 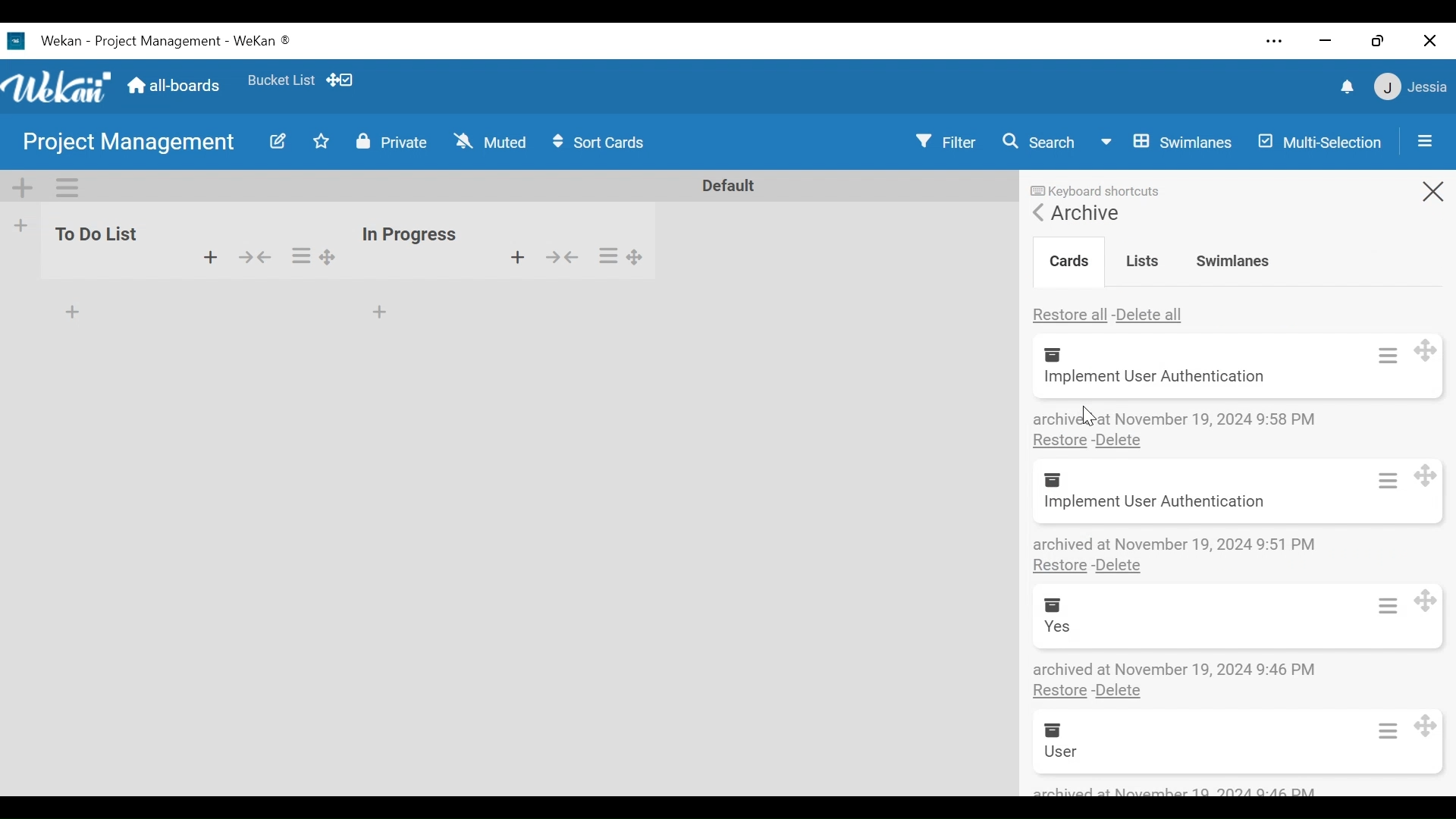 What do you see at coordinates (1039, 213) in the screenshot?
I see `Go Back` at bounding box center [1039, 213].